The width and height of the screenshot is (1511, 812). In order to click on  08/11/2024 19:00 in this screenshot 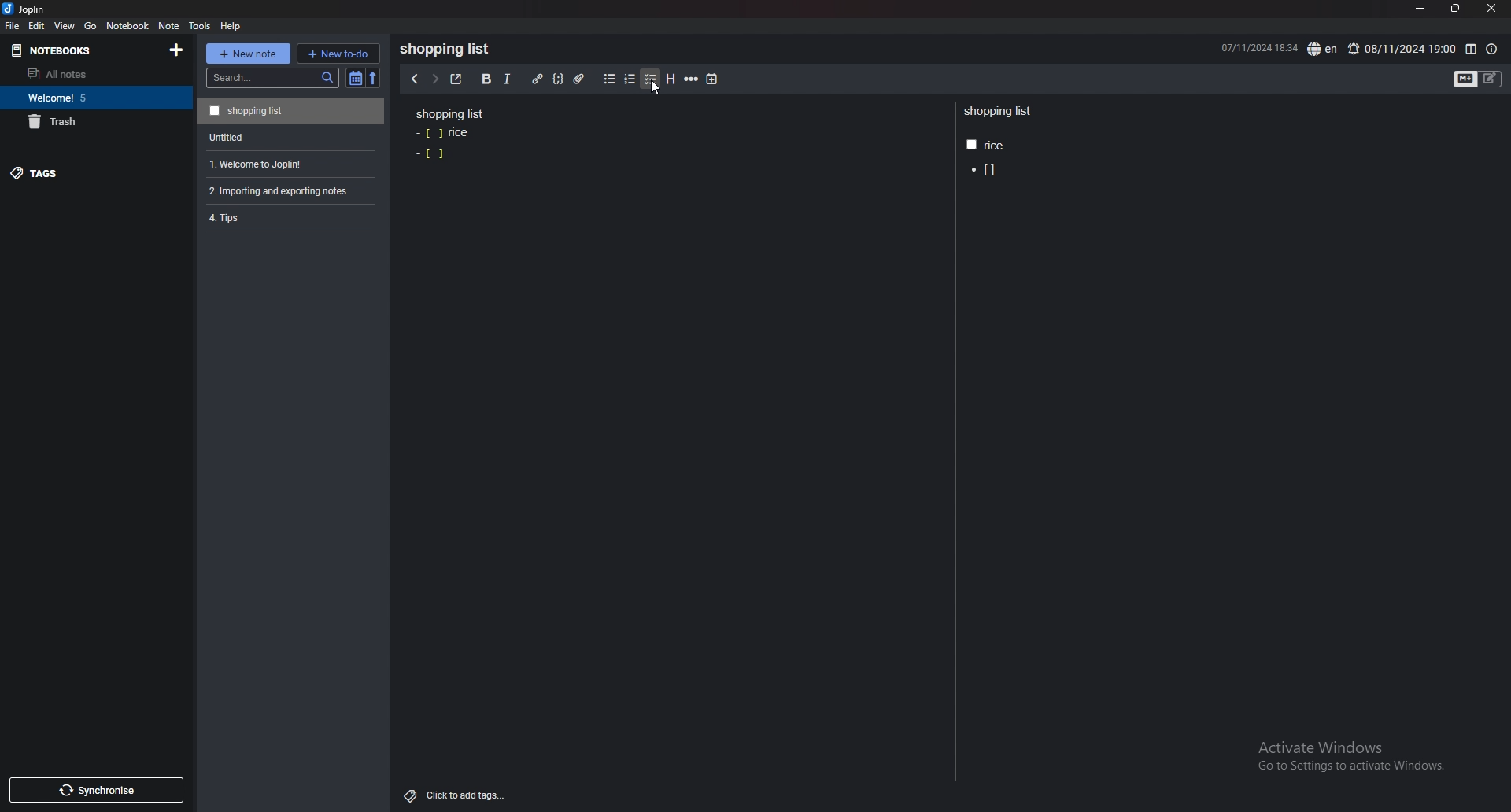, I will do `click(1401, 49)`.